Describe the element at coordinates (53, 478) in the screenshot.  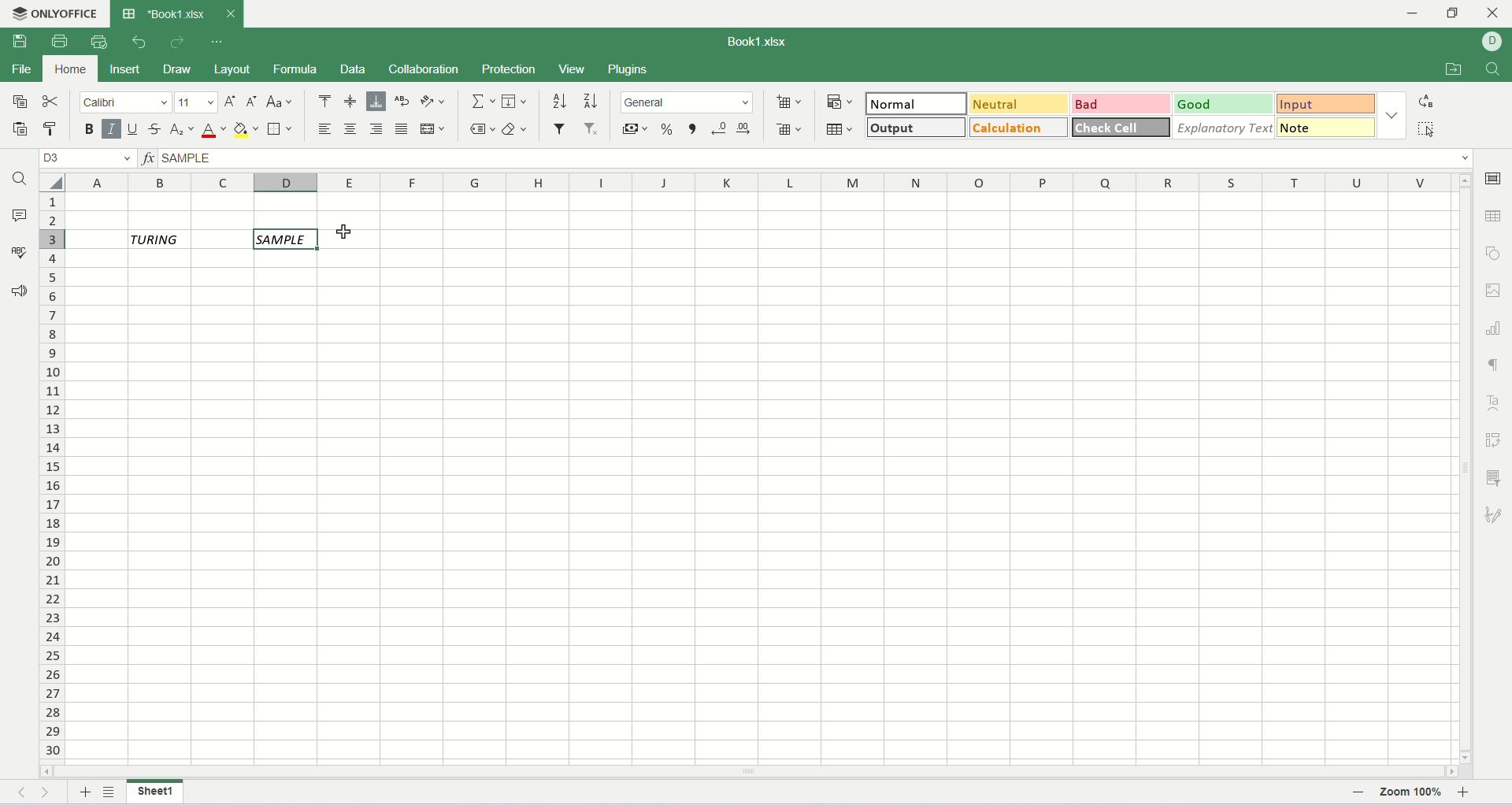
I see `row number` at that location.